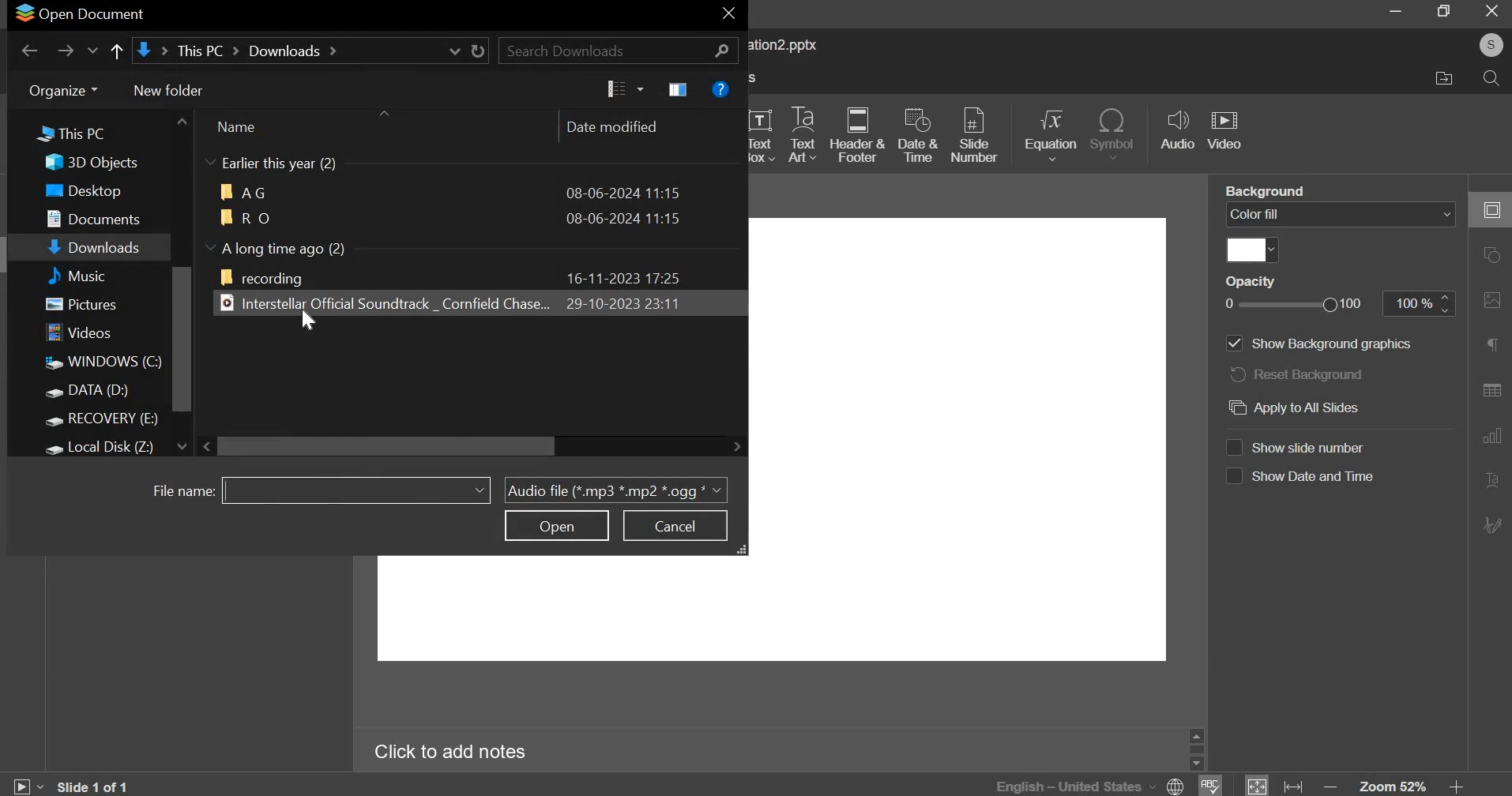 The height and width of the screenshot is (796, 1512). What do you see at coordinates (81, 332) in the screenshot?
I see `Videos` at bounding box center [81, 332].